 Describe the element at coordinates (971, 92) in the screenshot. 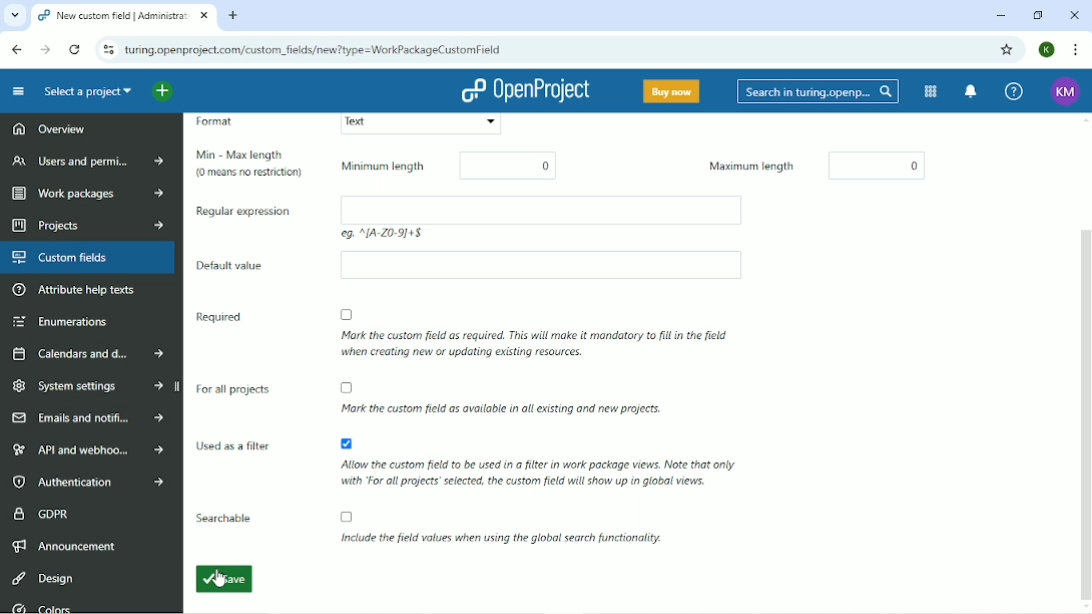

I see `To notification center` at that location.